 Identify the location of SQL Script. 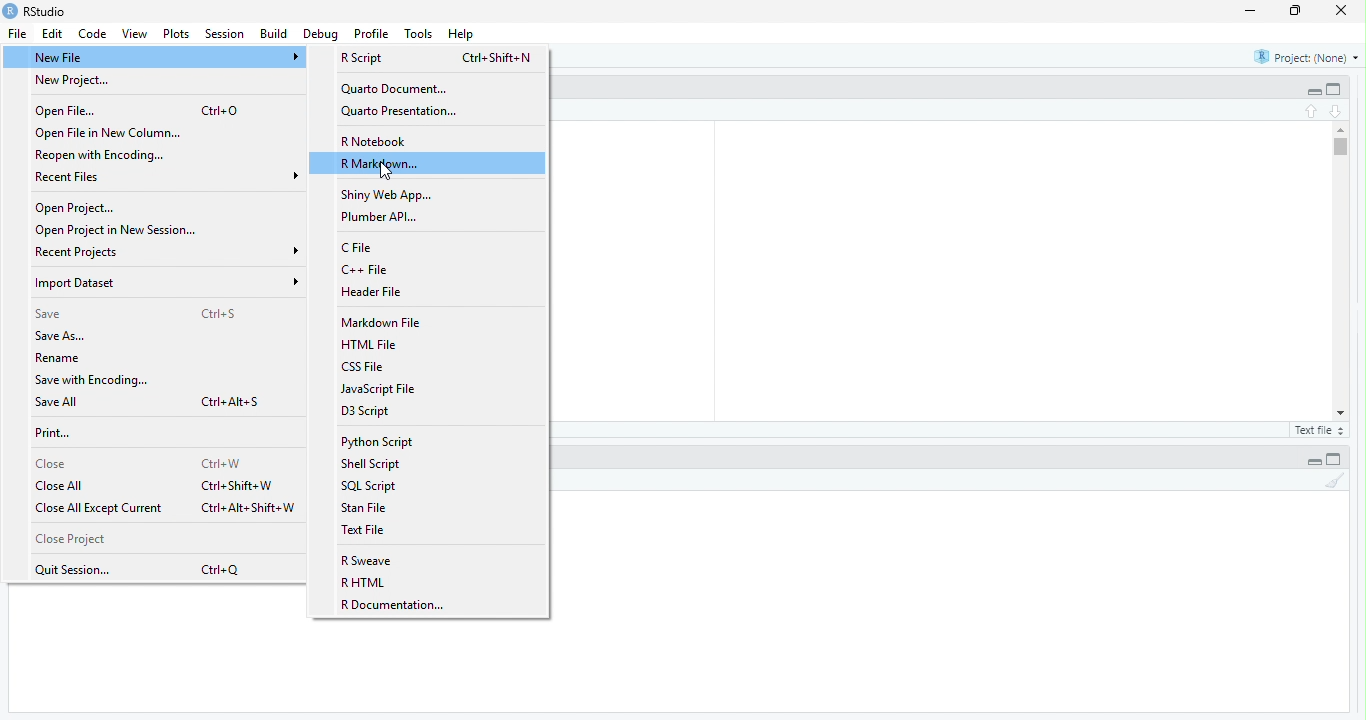
(370, 485).